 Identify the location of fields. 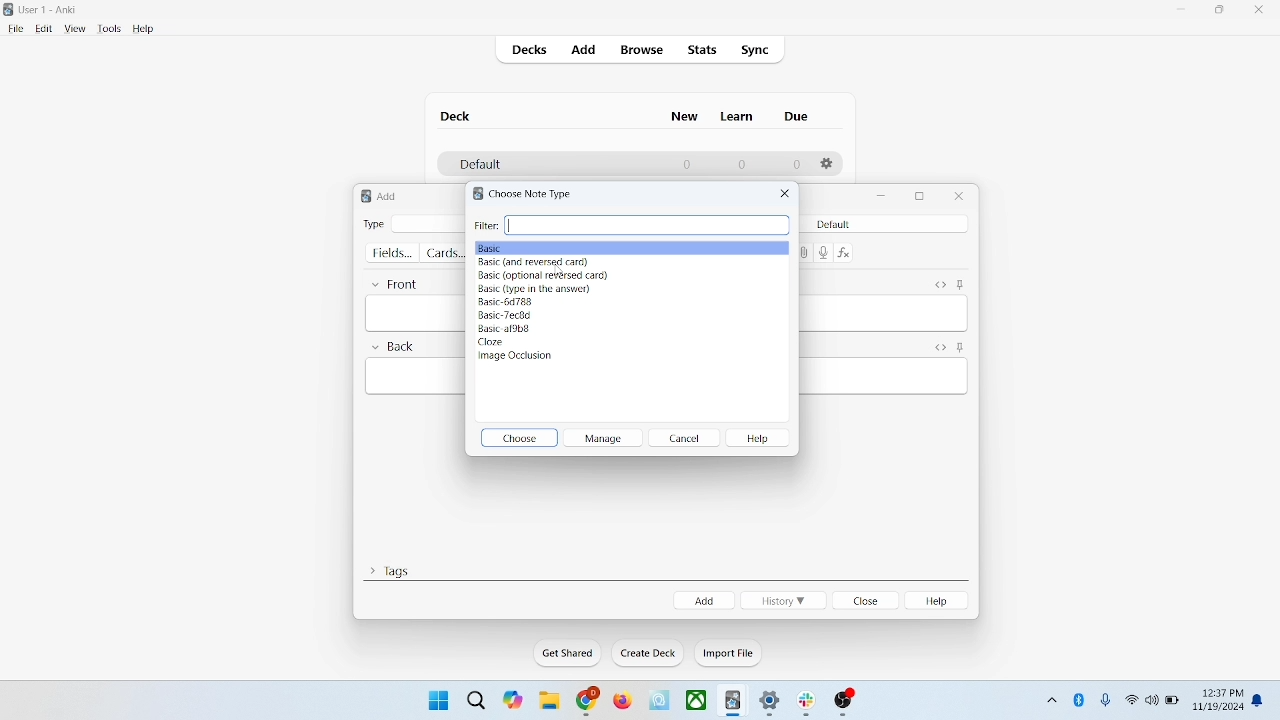
(391, 253).